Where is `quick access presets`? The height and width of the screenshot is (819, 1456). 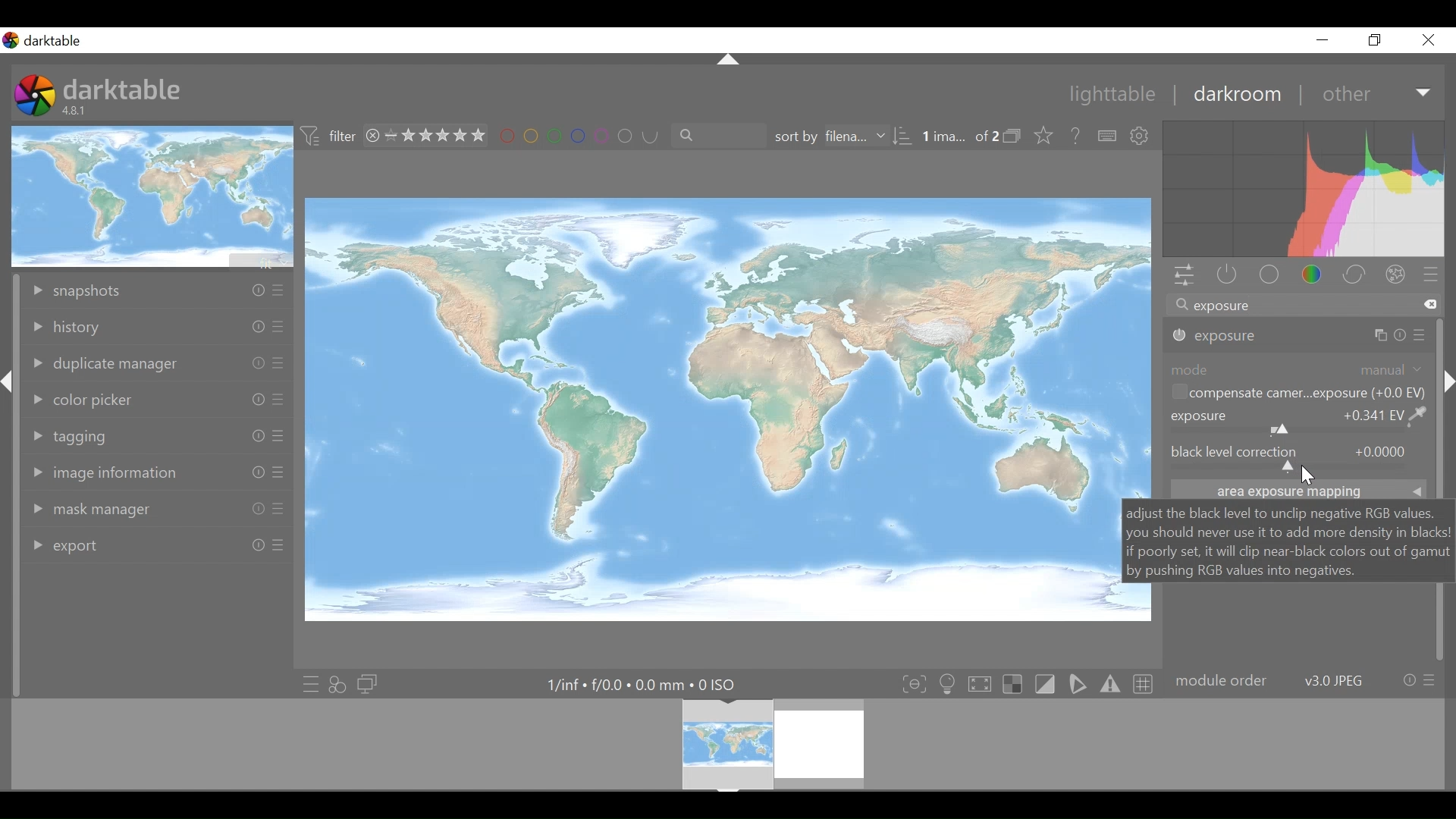 quick access presets is located at coordinates (306, 683).